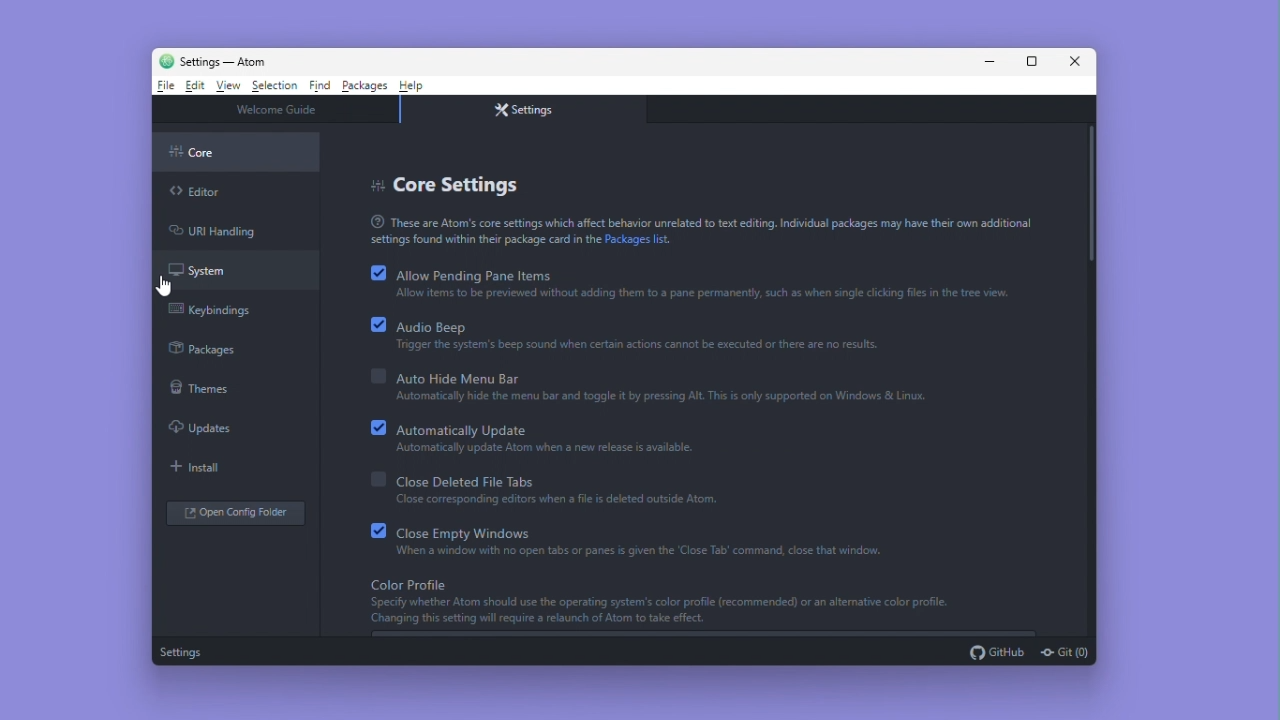 The width and height of the screenshot is (1280, 720). I want to click on Settings, so click(199, 654).